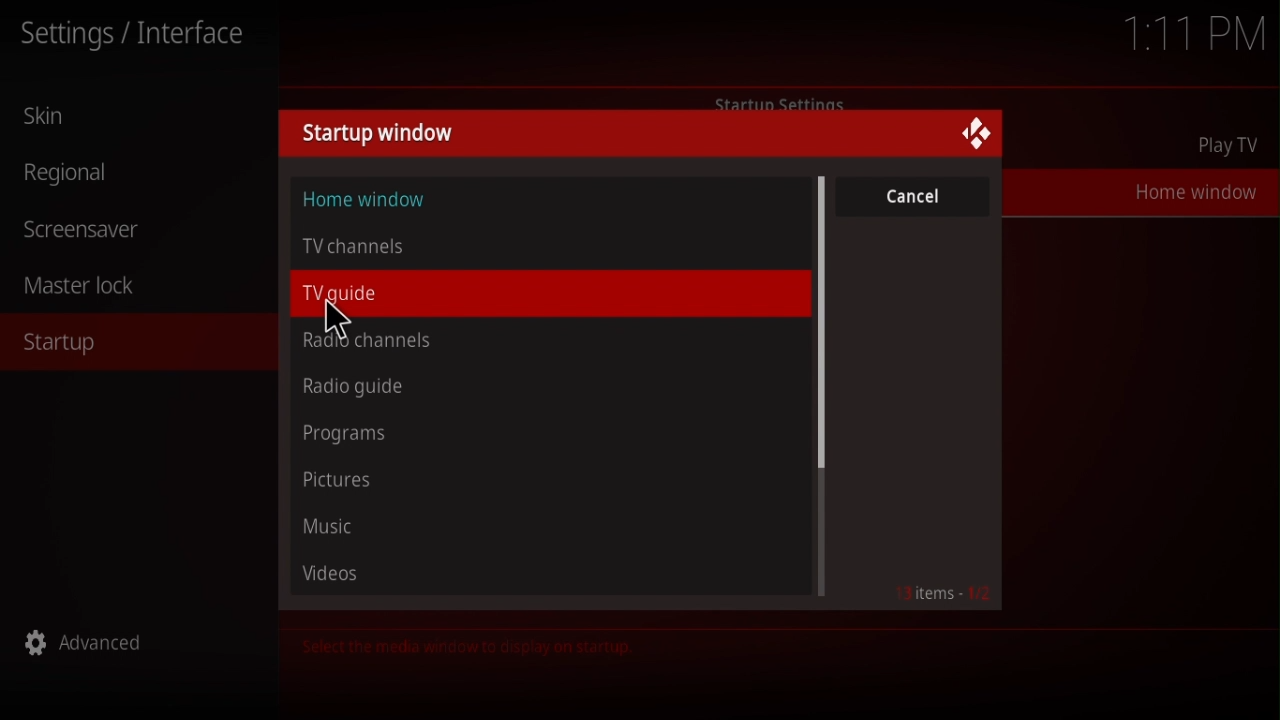 The width and height of the screenshot is (1280, 720). Describe the element at coordinates (366, 200) in the screenshot. I see `home window` at that location.